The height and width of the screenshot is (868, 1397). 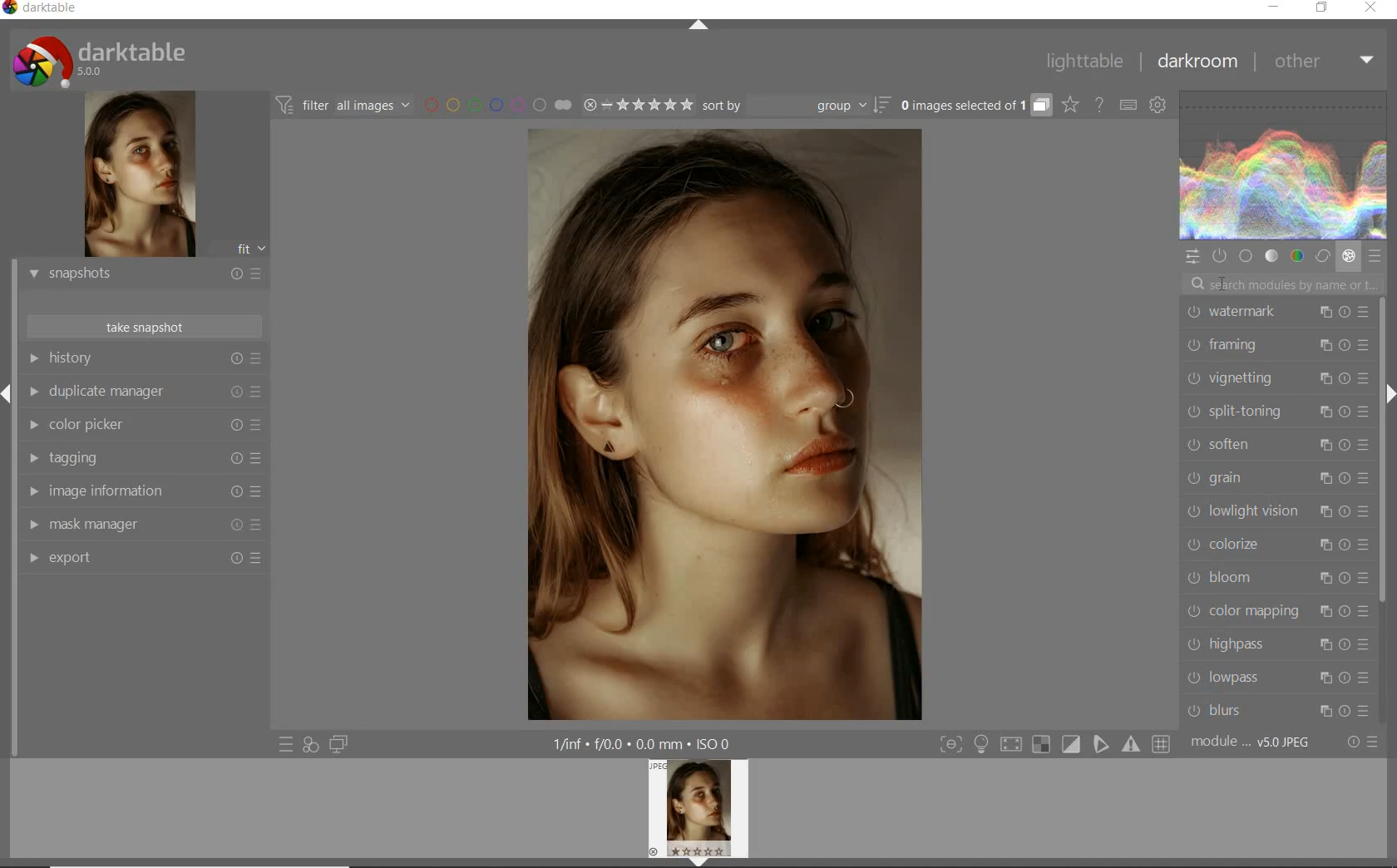 What do you see at coordinates (1158, 106) in the screenshot?
I see `show global preferences` at bounding box center [1158, 106].